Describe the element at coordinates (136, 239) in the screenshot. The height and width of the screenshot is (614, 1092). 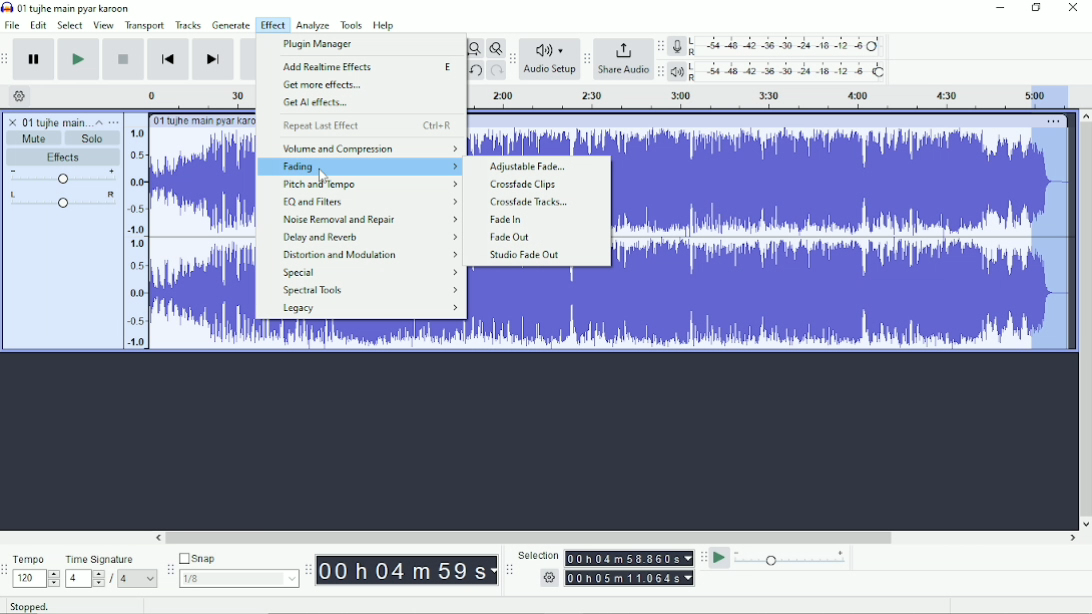
I see `amplitude scale` at that location.